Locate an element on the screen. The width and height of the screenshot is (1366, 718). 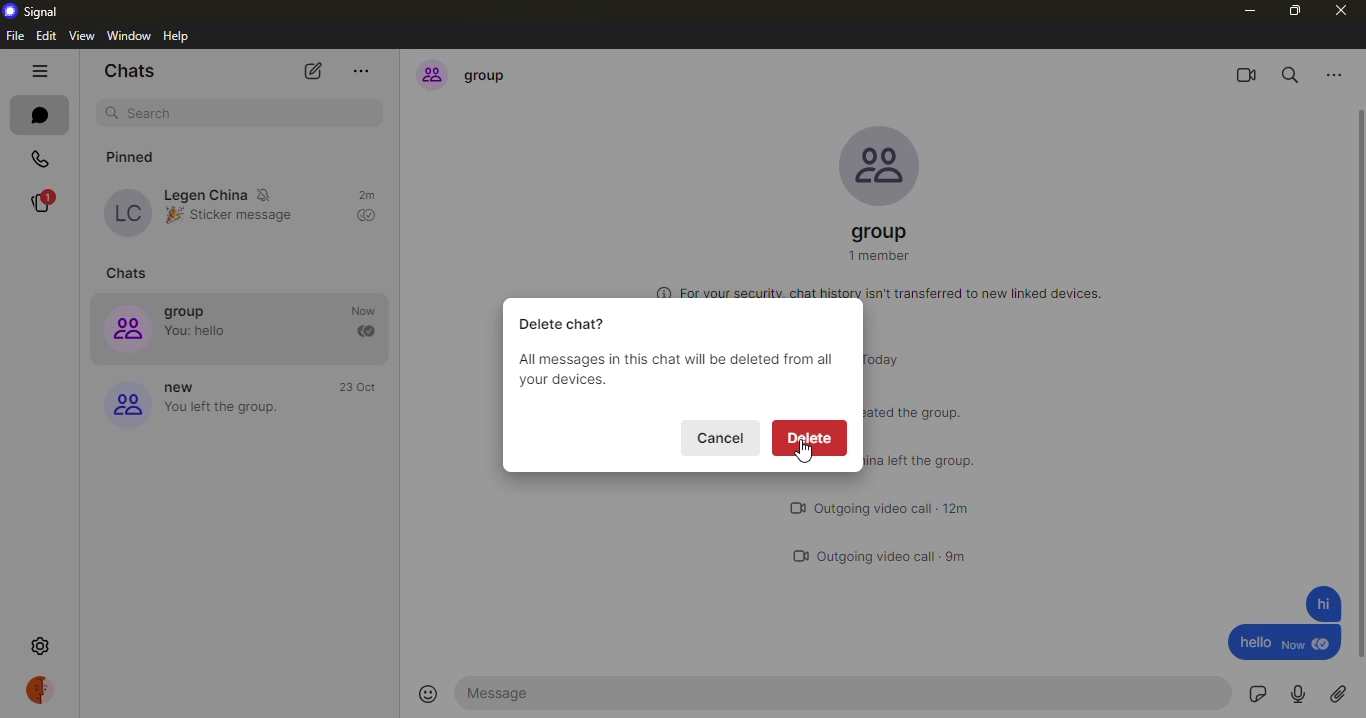
sticker is located at coordinates (1253, 697).